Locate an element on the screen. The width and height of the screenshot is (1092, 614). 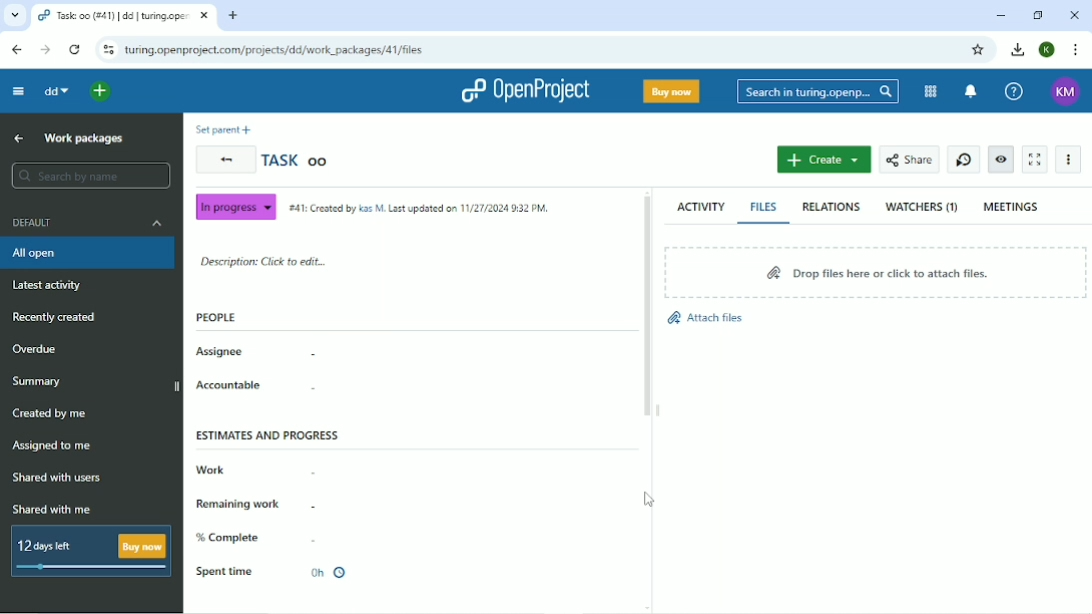
Estimates and progress is located at coordinates (268, 435).